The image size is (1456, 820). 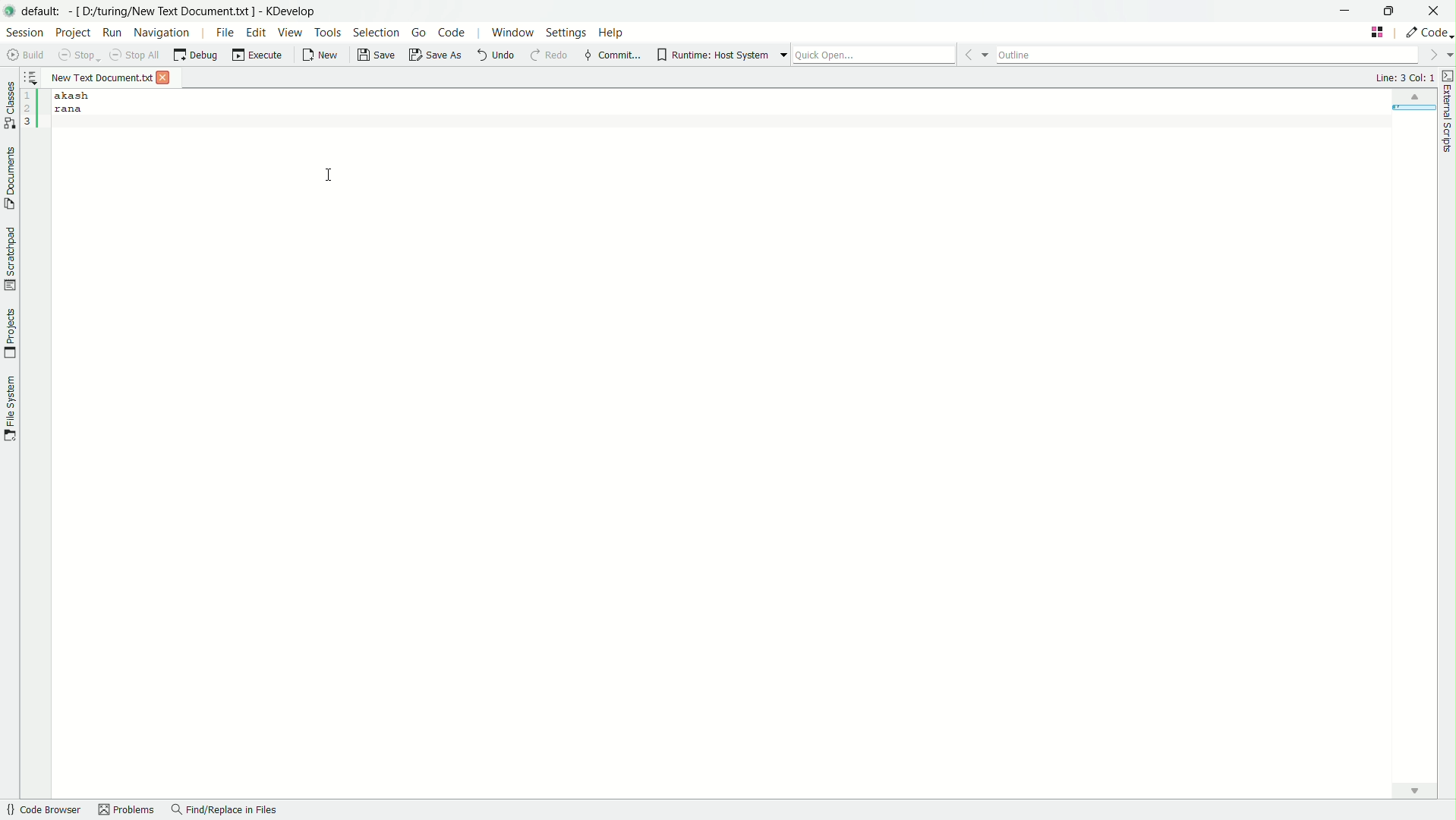 What do you see at coordinates (27, 55) in the screenshot?
I see `build` at bounding box center [27, 55].